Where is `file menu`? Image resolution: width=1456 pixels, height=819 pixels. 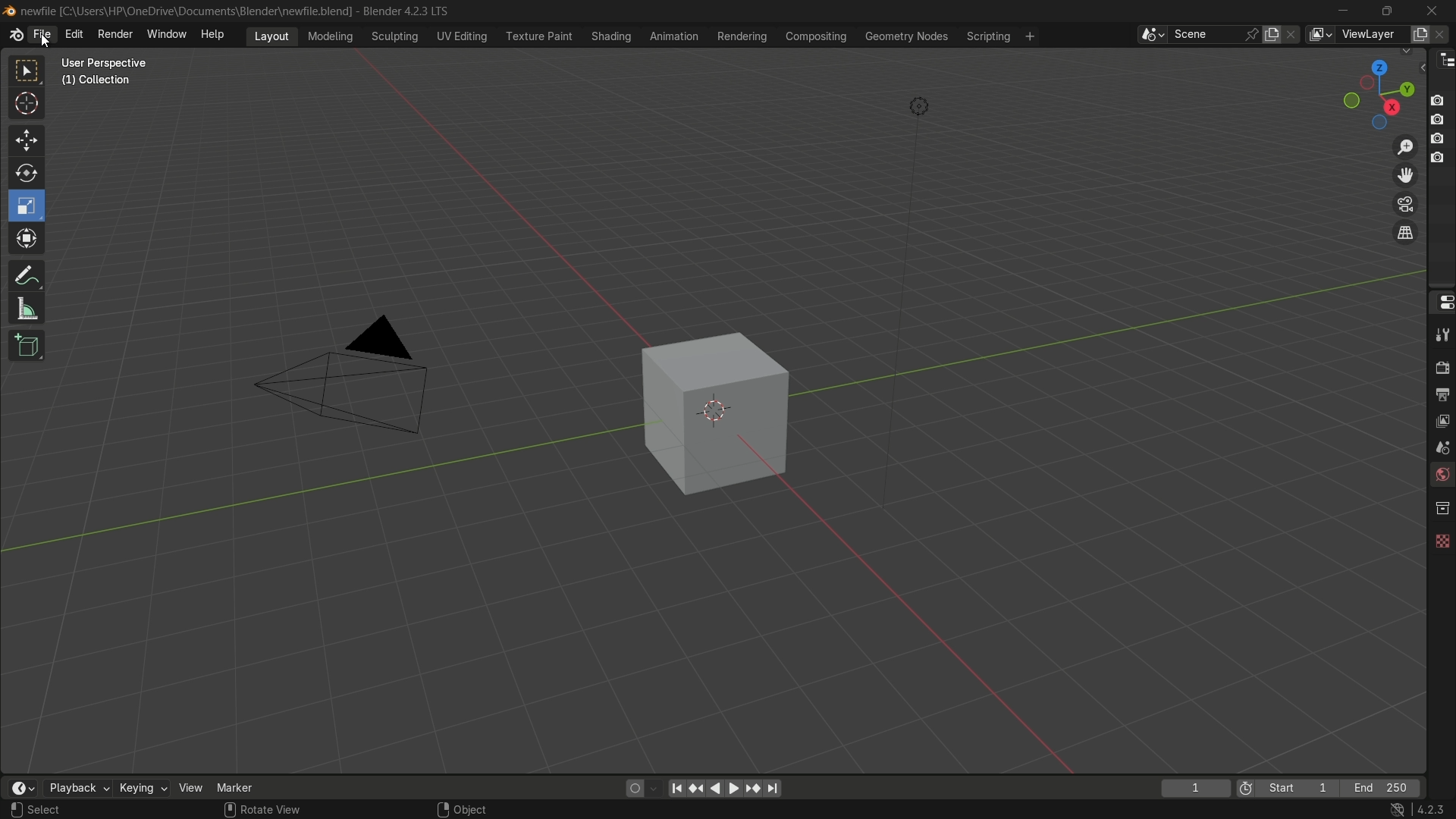 file menu is located at coordinates (42, 35).